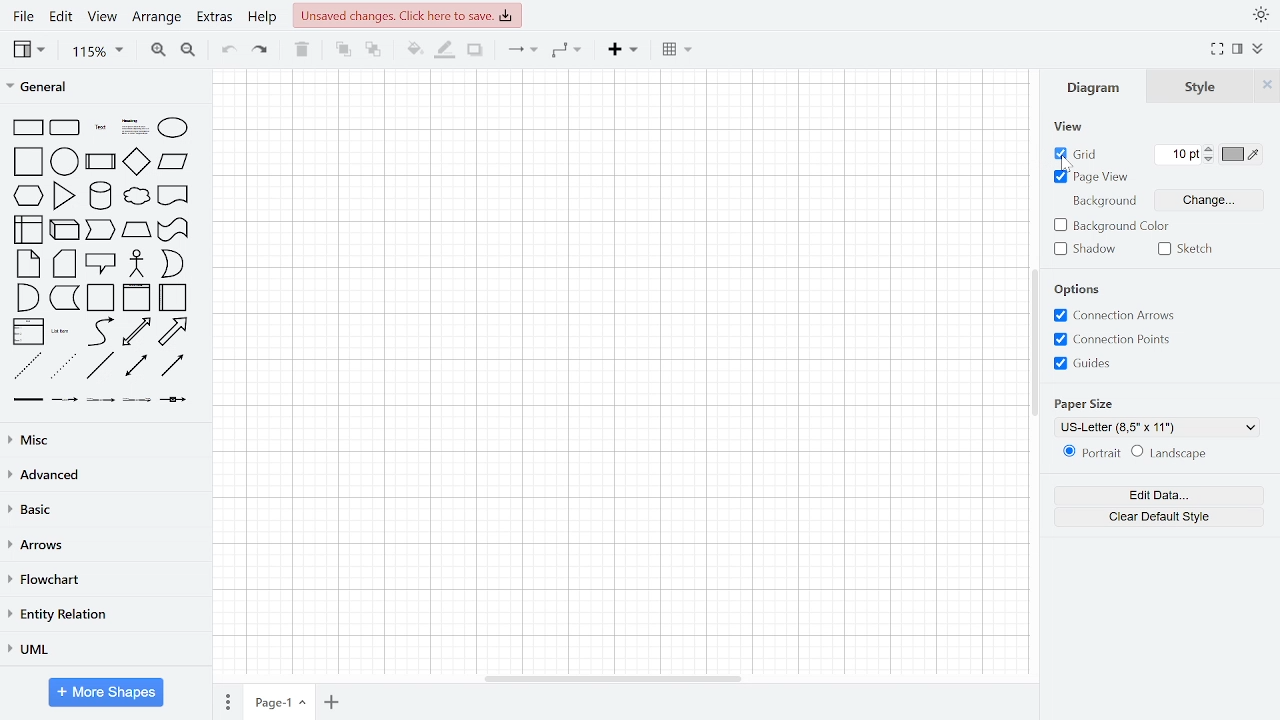 The height and width of the screenshot is (720, 1280). I want to click on sketch, so click(1186, 249).